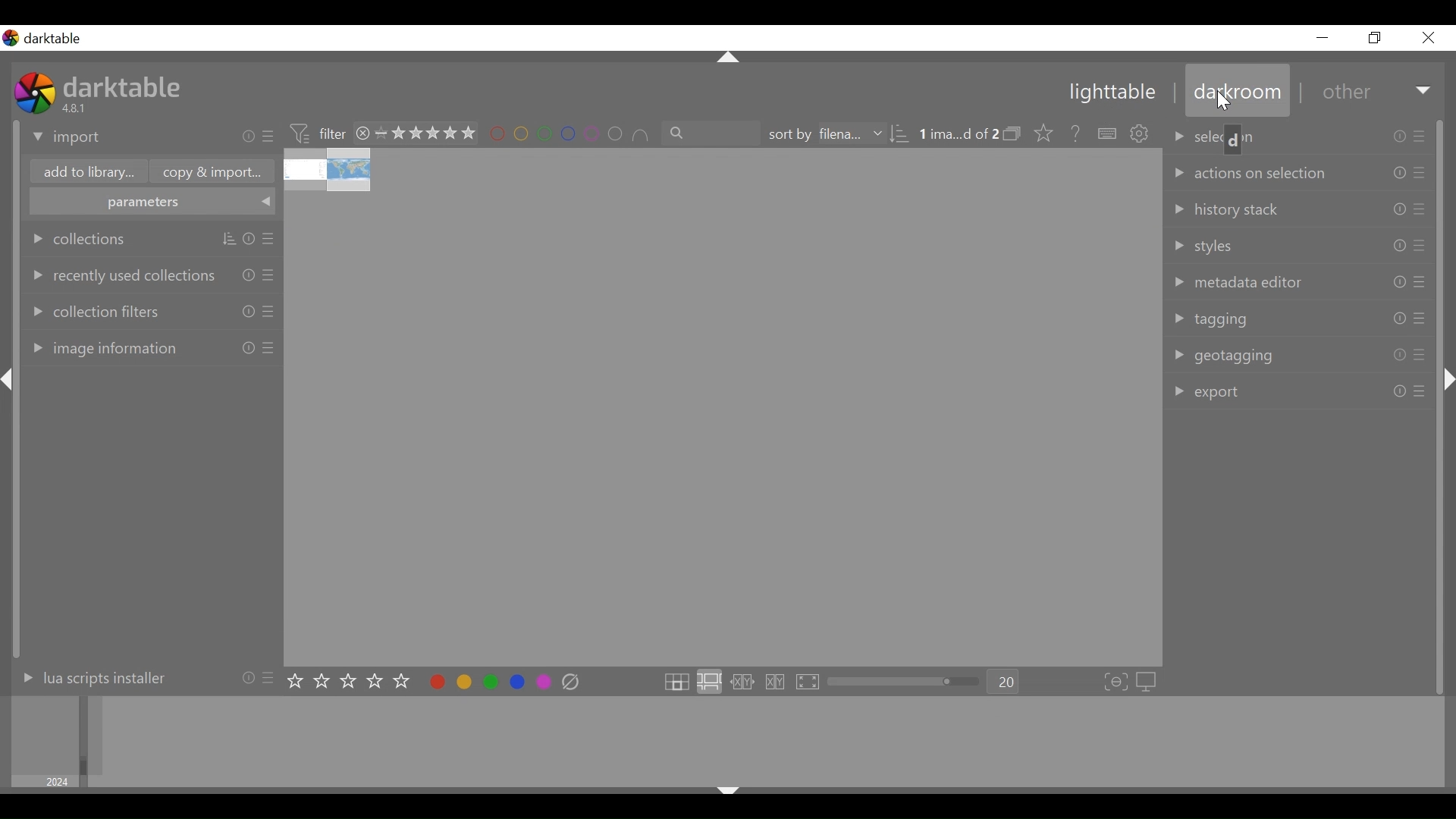  Describe the element at coordinates (84, 171) in the screenshot. I see `add to library` at that location.